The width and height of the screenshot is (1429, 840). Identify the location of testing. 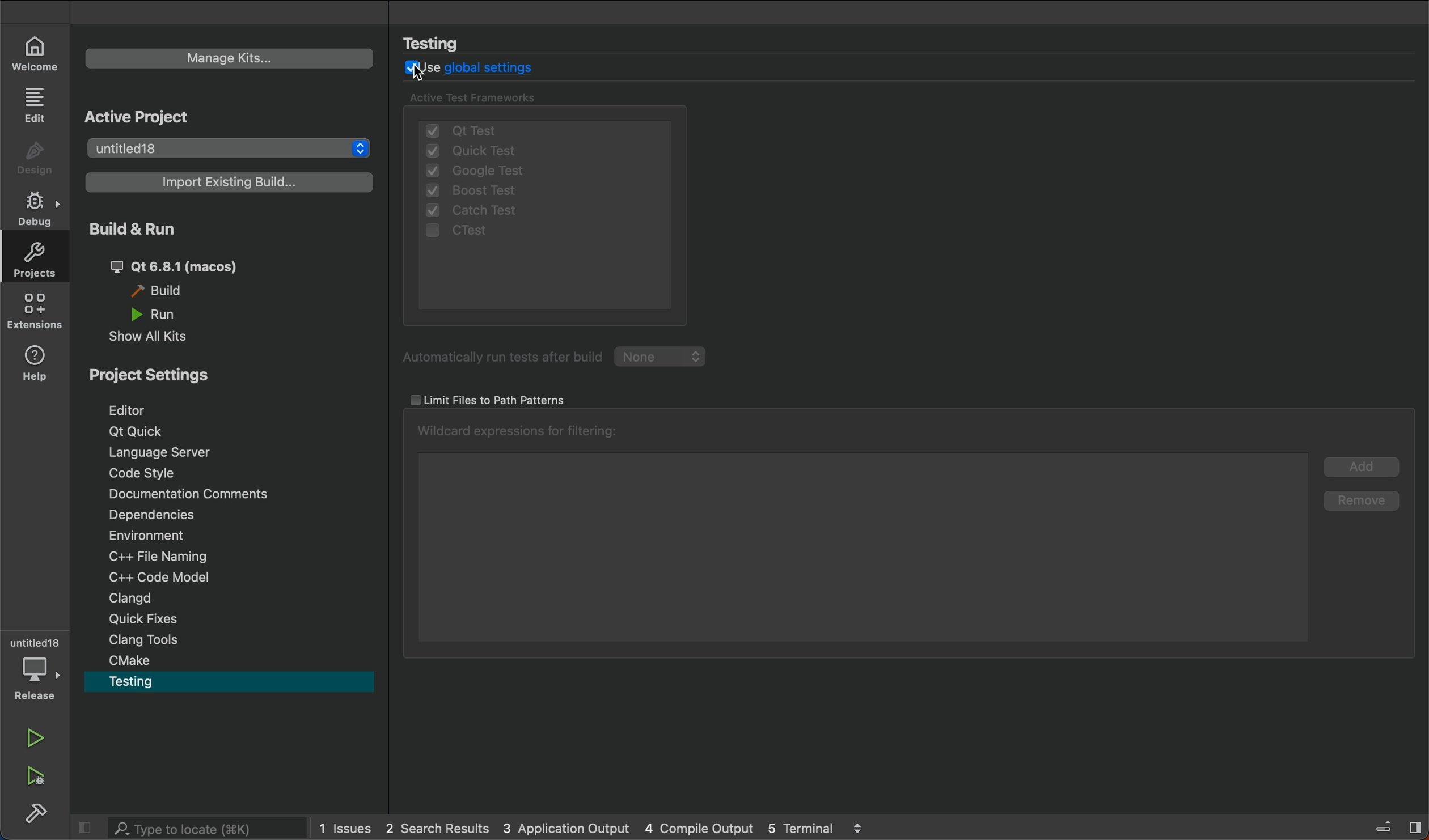
(443, 43).